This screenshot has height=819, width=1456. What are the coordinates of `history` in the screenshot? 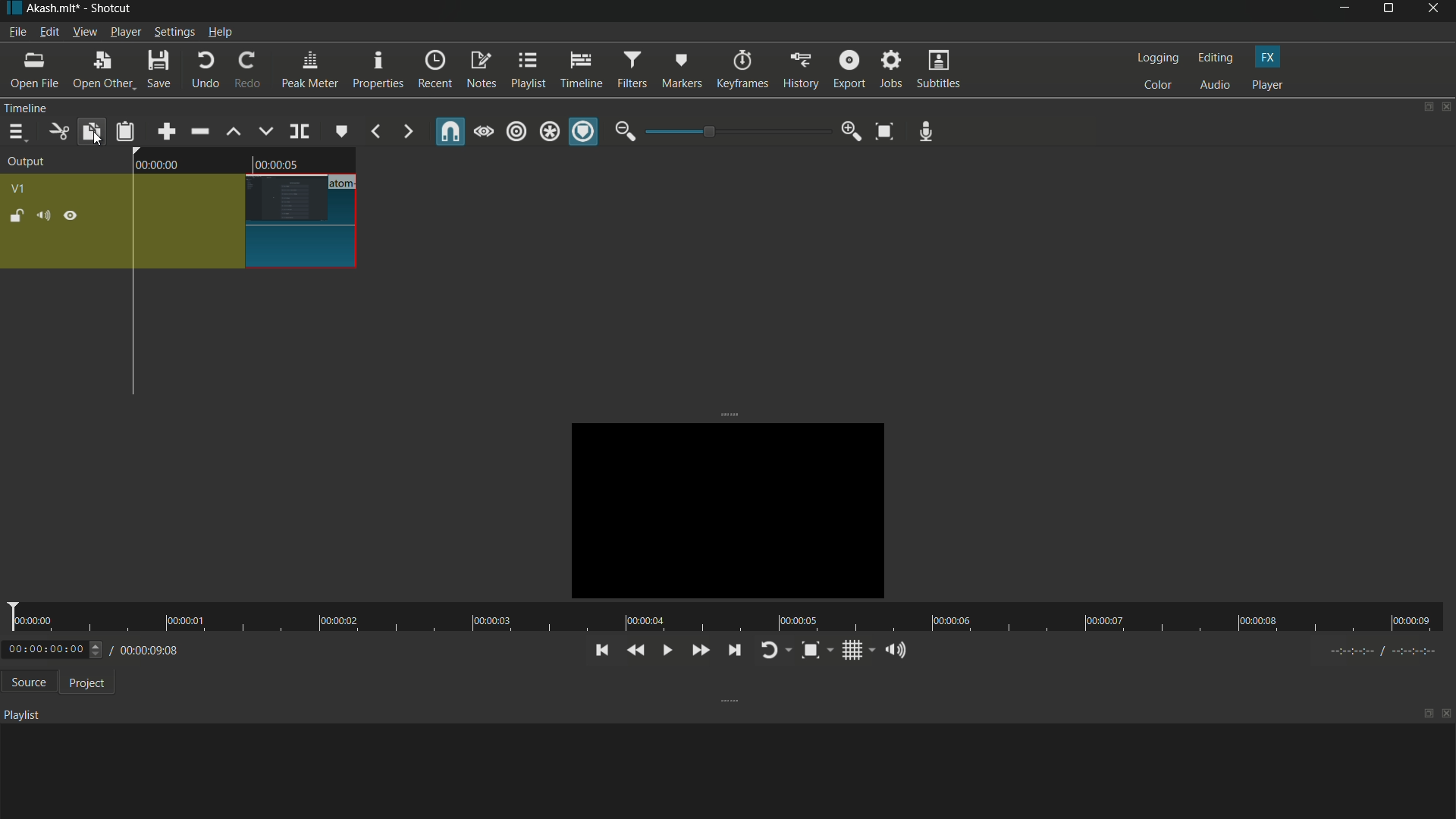 It's located at (800, 71).